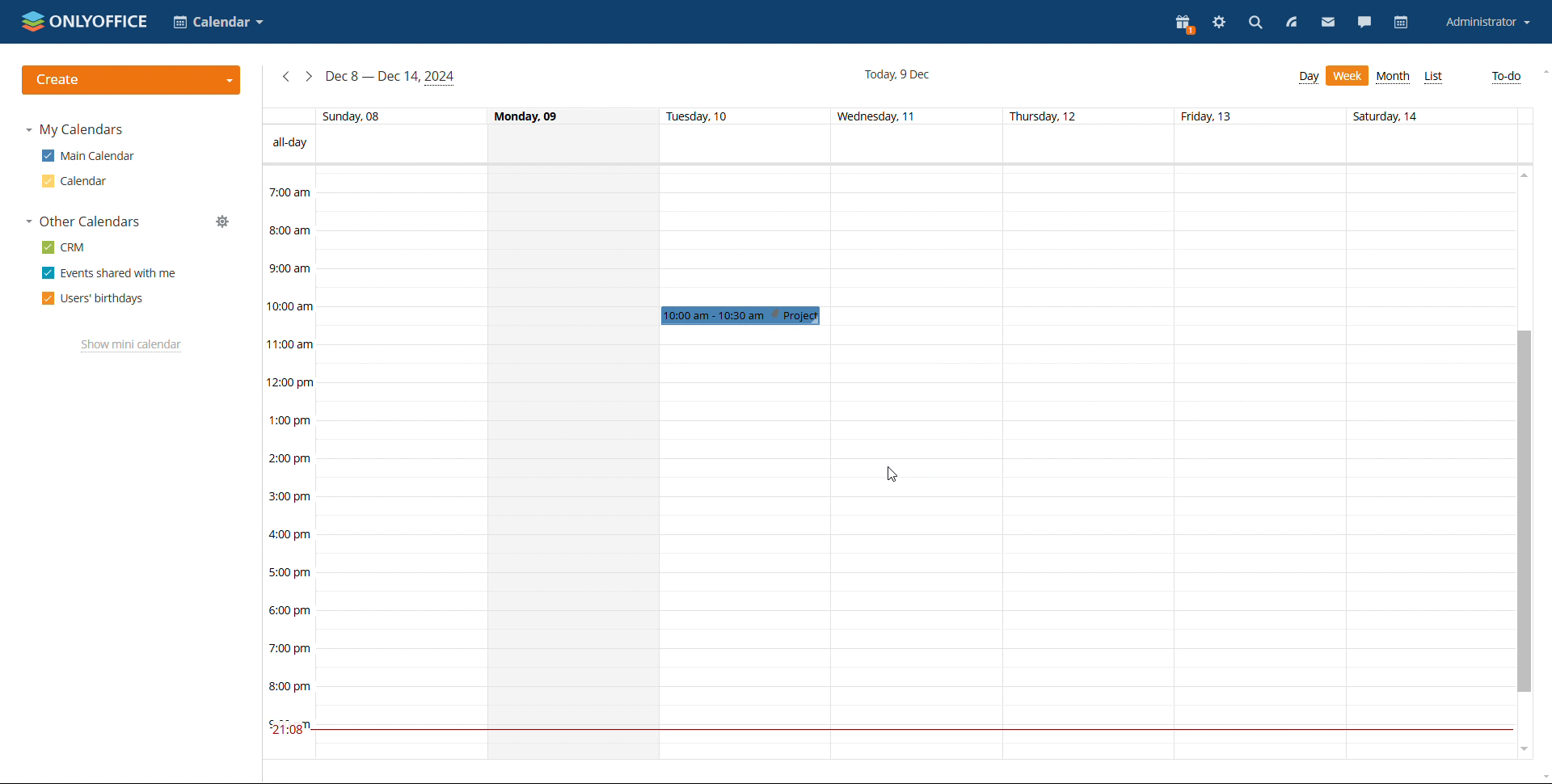  I want to click on scrollbar, so click(1522, 512).